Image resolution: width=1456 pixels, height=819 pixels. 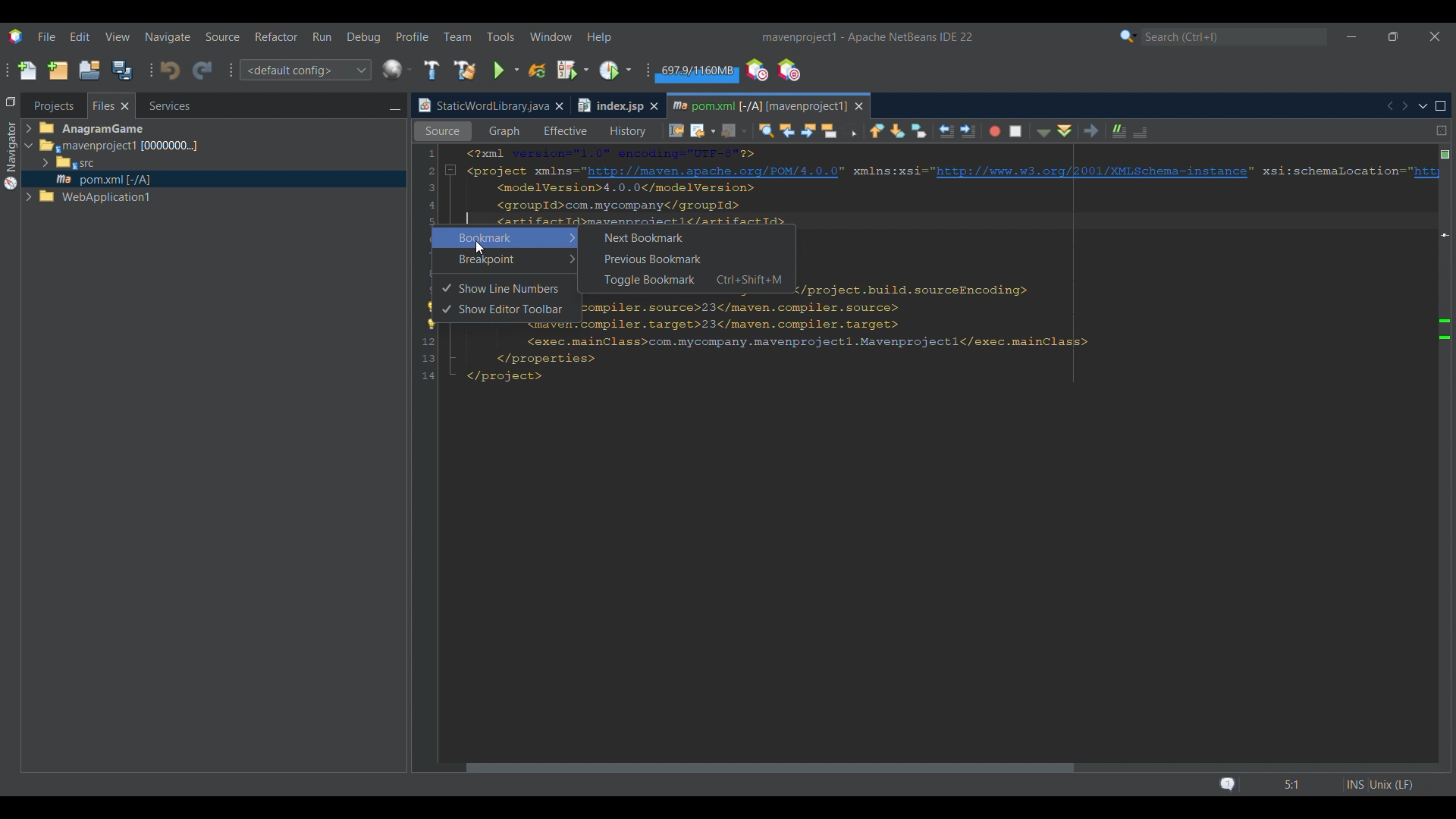 What do you see at coordinates (831, 130) in the screenshot?
I see `Toggle highlight search` at bounding box center [831, 130].